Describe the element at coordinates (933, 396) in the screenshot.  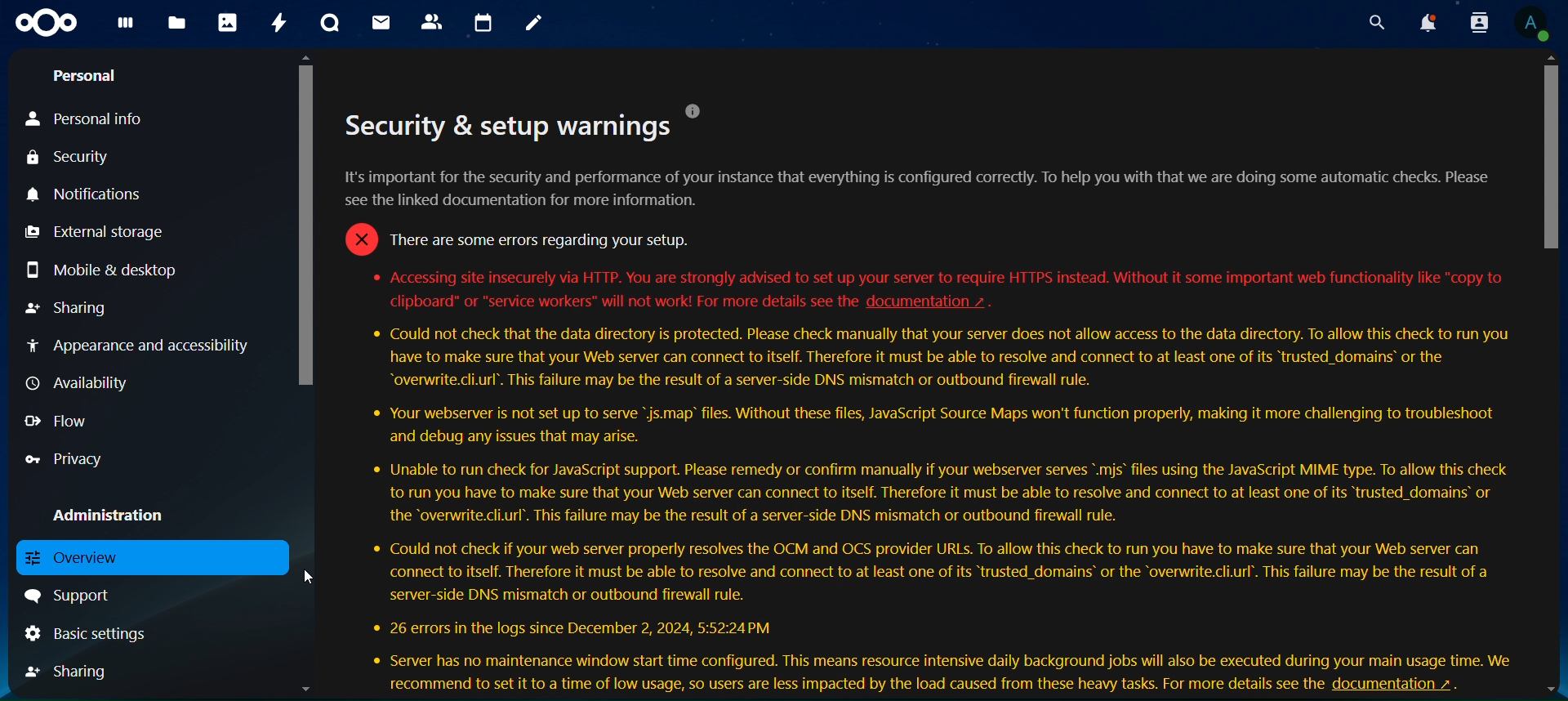
I see ` Security & setup warnings ] It's important for the security and performance of your instance that everything is configured correctly. To help you with that we are doing some automatic checks. Please see the linked documentation for more information. [x] There are some errors regarding your setup. e * Accessing site insecurely via HTTP. You are strongly advised to set up your server to require HTTPS instead. Without it some important web functionality like “copy to clipboard" or "service workers" will not work! For more details see the documentation ~ . * Could not check that the data directory is protected. Please check manually that your server does not allow access to the data directory. To allow this check to run you leges have to make sure that your Web server can connect to itself. Therefore it must be able to resolve and connect to at least one of its “trusted_domains’ or the “overwrite.cli.url’. This failure may be the result of a server-side DNS mismatch or outbound firewall rule. * Your webserver is not set up to serve "js.map’ files. Without these files, JavaScript Source Maps won't function properly, making it more challenging to troubleshoot and debug any issues that may arise. * Unable to run check for JavaScript support. Please remedy or confirm manually if your webserver serves ".mjs’ files using the JavaScript MIME type. To allow this check to run you have to make sure that your Web server can connect to itself. Therefore it must be able to resolve and connect to at least one of its “trusted_domains™ or the “overwrite cli.url’. This failure may be the result of a server-side DNS mismatch or outbound firewall rule. * Could not check if your web server properly resolves the OCM and OCS provider URLs. To allow this check to run you have to make sure that your Web server can connect to itself. Therefore it must be able to resolve and connect to at least one of its “trusted_domains™ or the “overwrite.cli.url’. This failure may be the result of a : server-side DNS mismatch or outbound firewall rule. * 26 errors in the logs since December 2, 2024, 5:52:24 PM * Server has no maintenance window start time configured. This means resource intensive daily background jobs will also be executed during your main usage time. We _ recommend to set it to a time of low usage. so users are less impacted by the load caused from these heavy tasks. For more details see the documentation ~ .` at that location.